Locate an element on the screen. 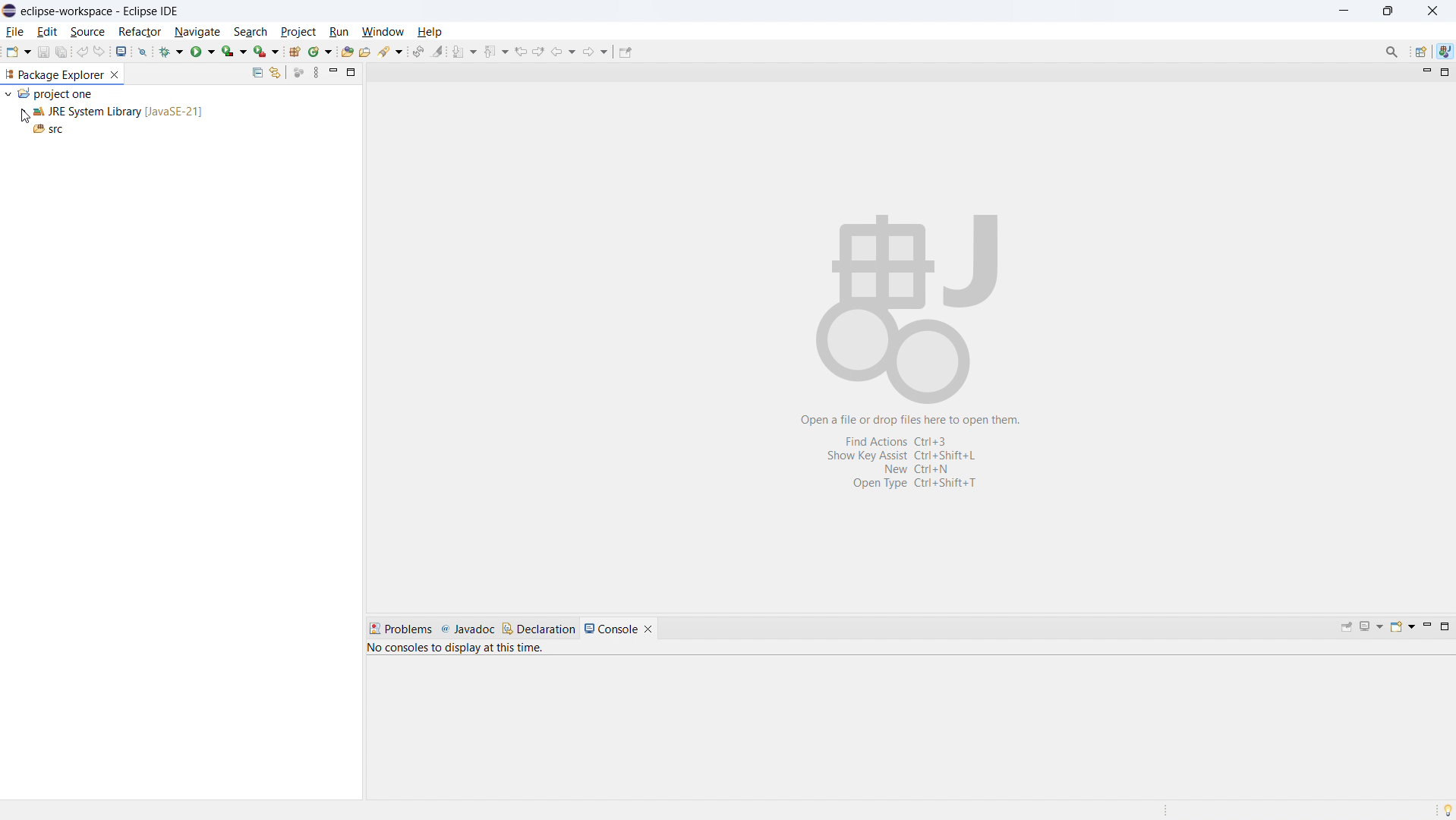 The width and height of the screenshot is (1456, 820). toggle ant mark occurances is located at coordinates (438, 50).